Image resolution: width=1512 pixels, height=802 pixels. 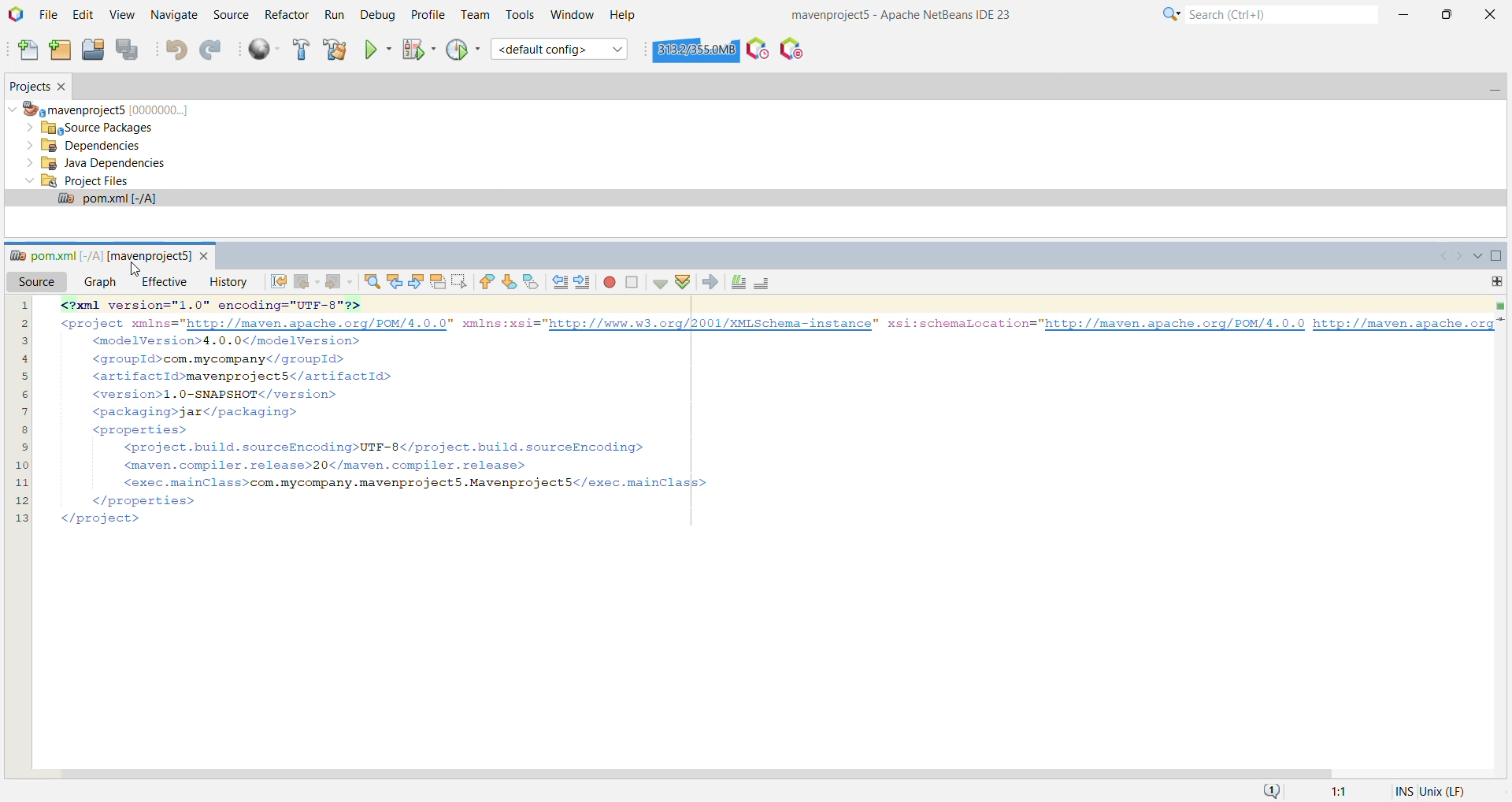 What do you see at coordinates (625, 16) in the screenshot?
I see `Help` at bounding box center [625, 16].